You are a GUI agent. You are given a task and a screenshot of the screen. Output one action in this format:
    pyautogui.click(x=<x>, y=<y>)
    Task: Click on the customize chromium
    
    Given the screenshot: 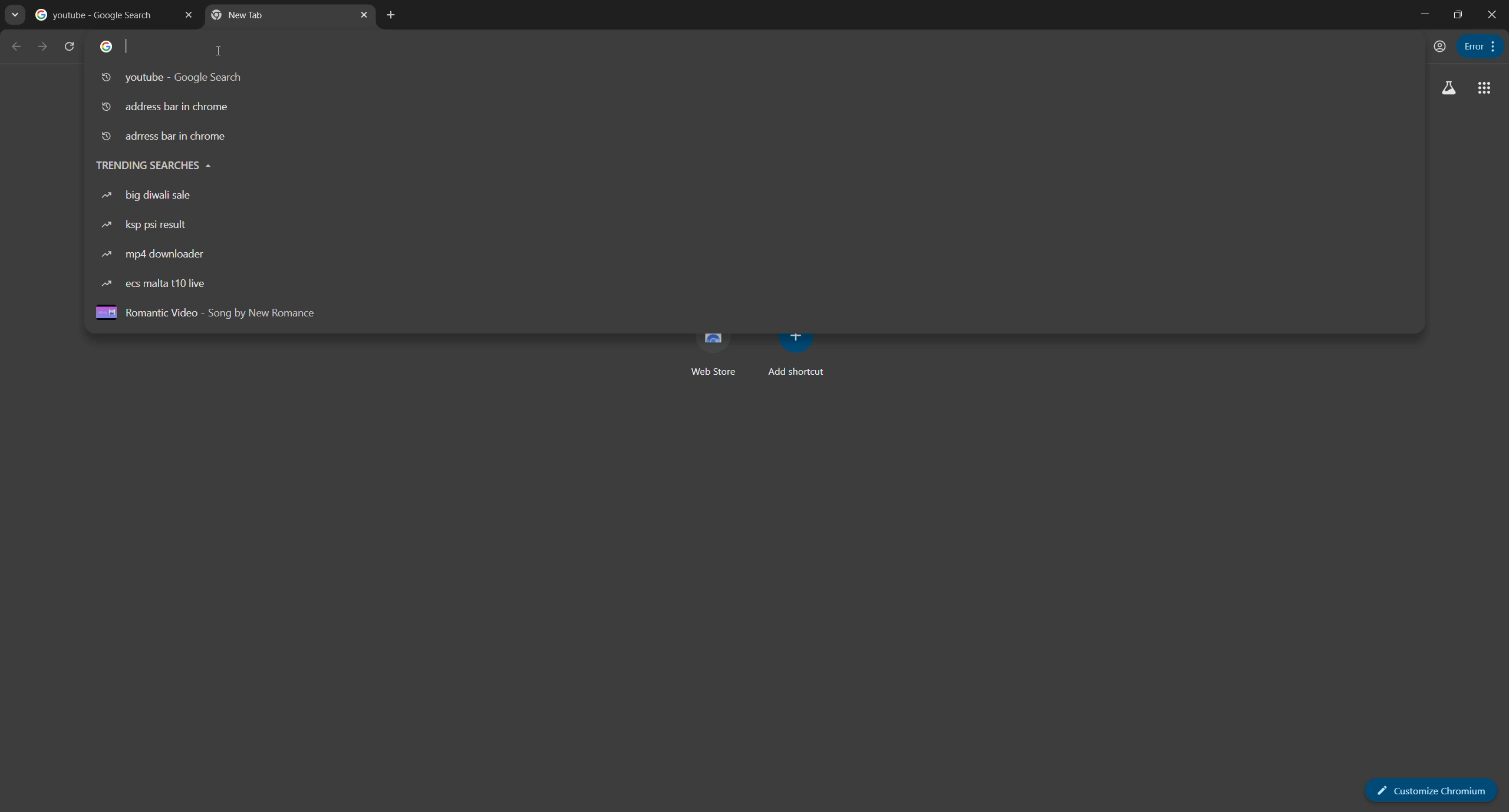 What is the action you would take?
    pyautogui.click(x=1490, y=45)
    